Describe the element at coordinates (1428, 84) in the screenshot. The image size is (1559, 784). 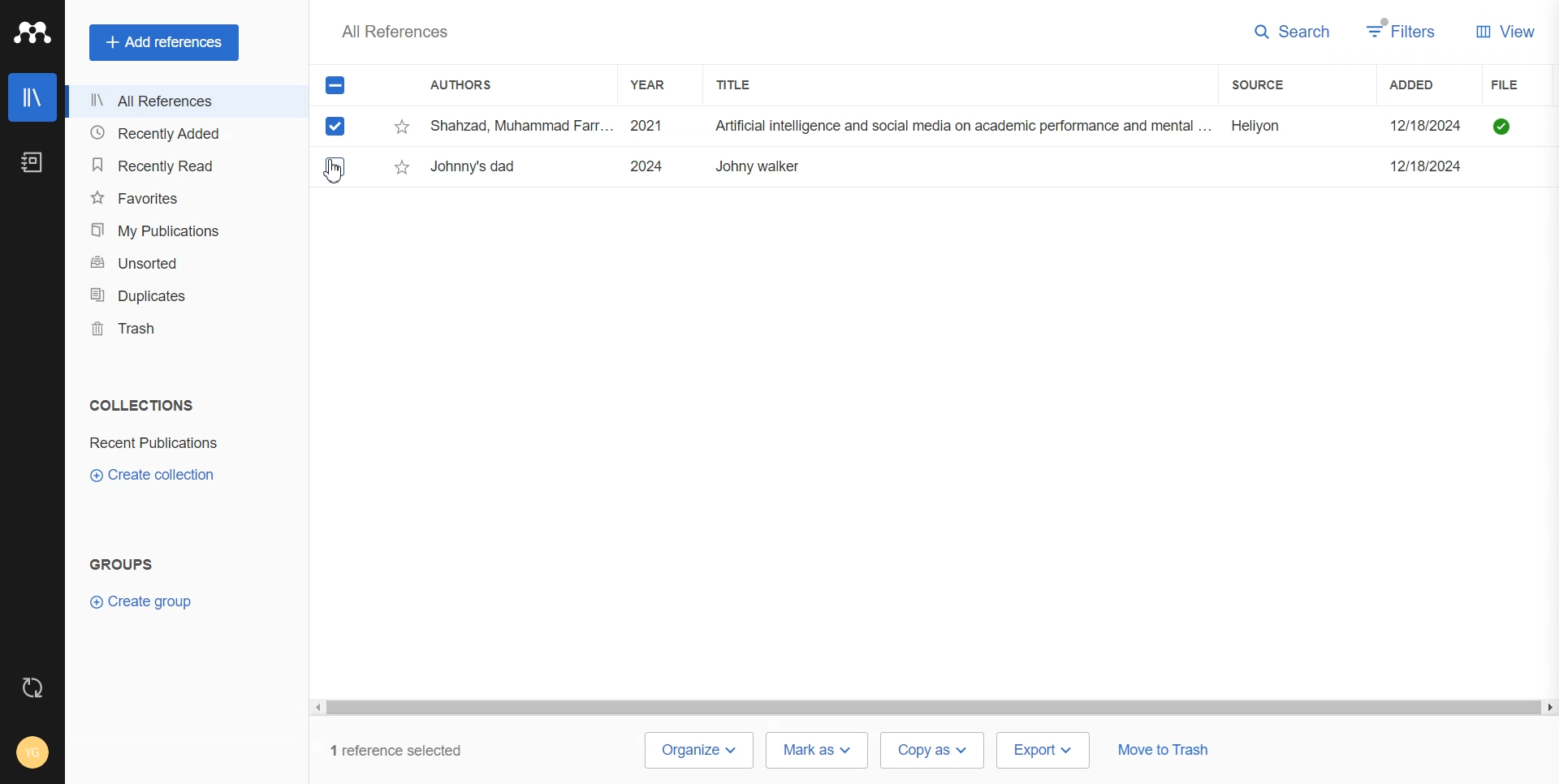
I see `Added` at that location.